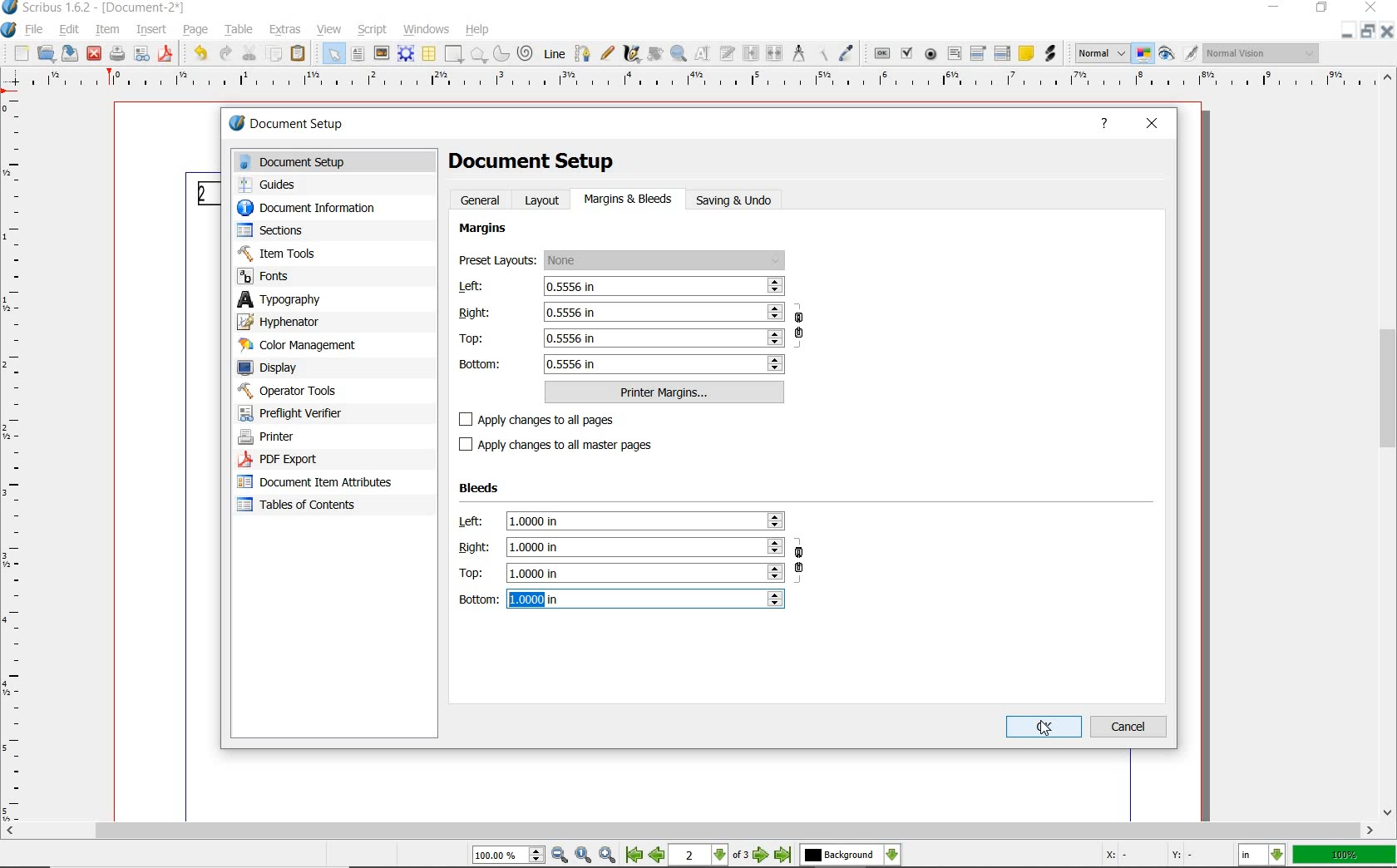 This screenshot has width=1397, height=868. I want to click on extras, so click(285, 30).